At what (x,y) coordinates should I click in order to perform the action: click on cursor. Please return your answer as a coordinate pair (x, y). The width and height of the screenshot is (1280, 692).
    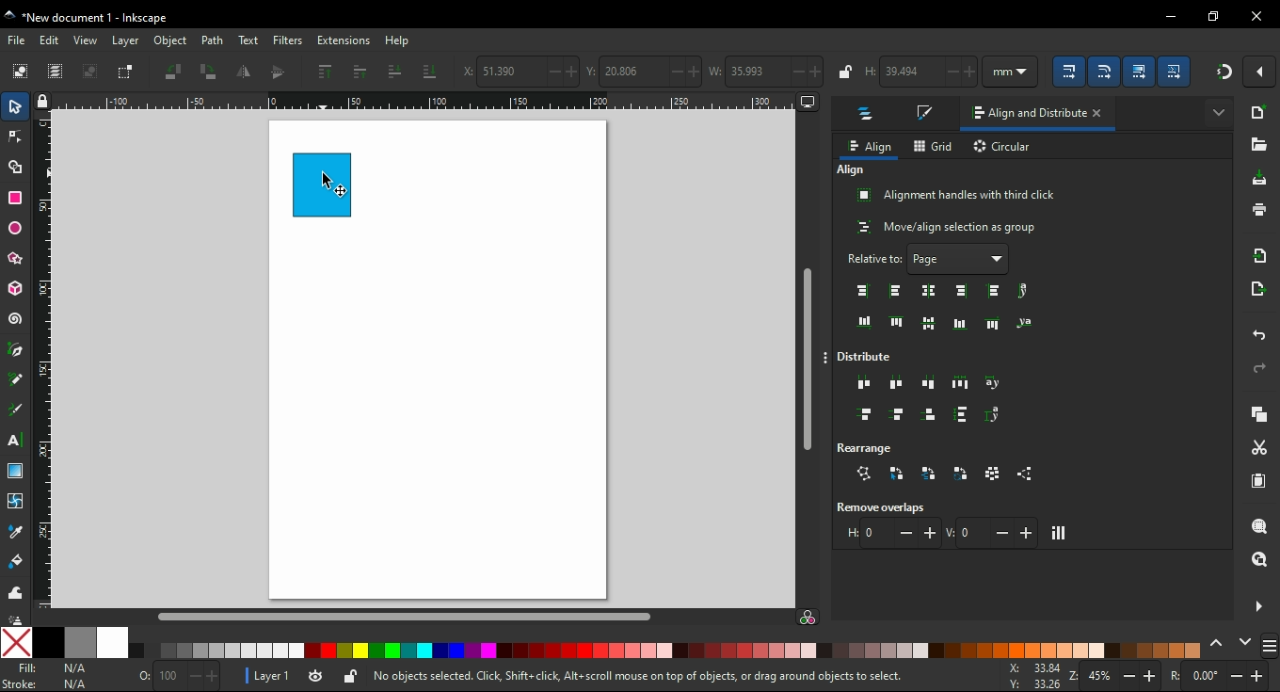
    Looking at the image, I should click on (327, 180).